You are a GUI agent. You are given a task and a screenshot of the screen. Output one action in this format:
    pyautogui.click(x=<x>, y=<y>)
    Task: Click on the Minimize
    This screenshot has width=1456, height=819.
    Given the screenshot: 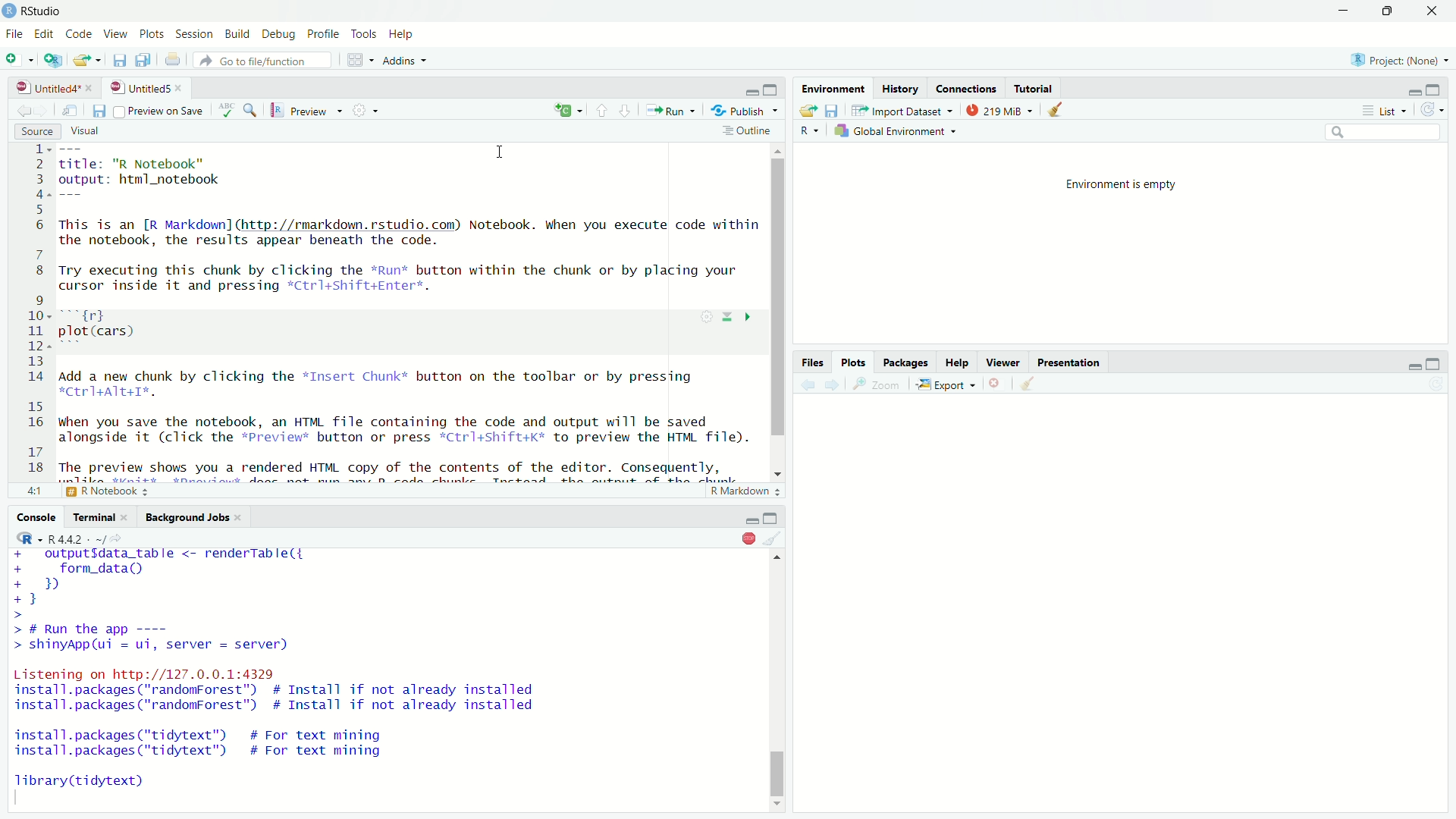 What is the action you would take?
    pyautogui.click(x=1415, y=87)
    